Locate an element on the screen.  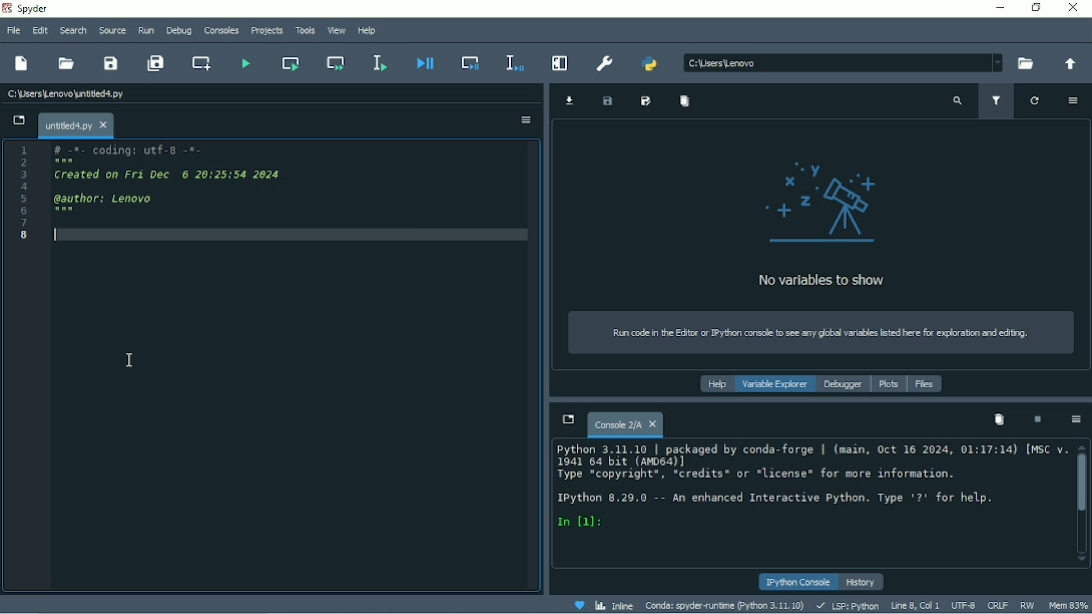
Debug cell is located at coordinates (470, 62).